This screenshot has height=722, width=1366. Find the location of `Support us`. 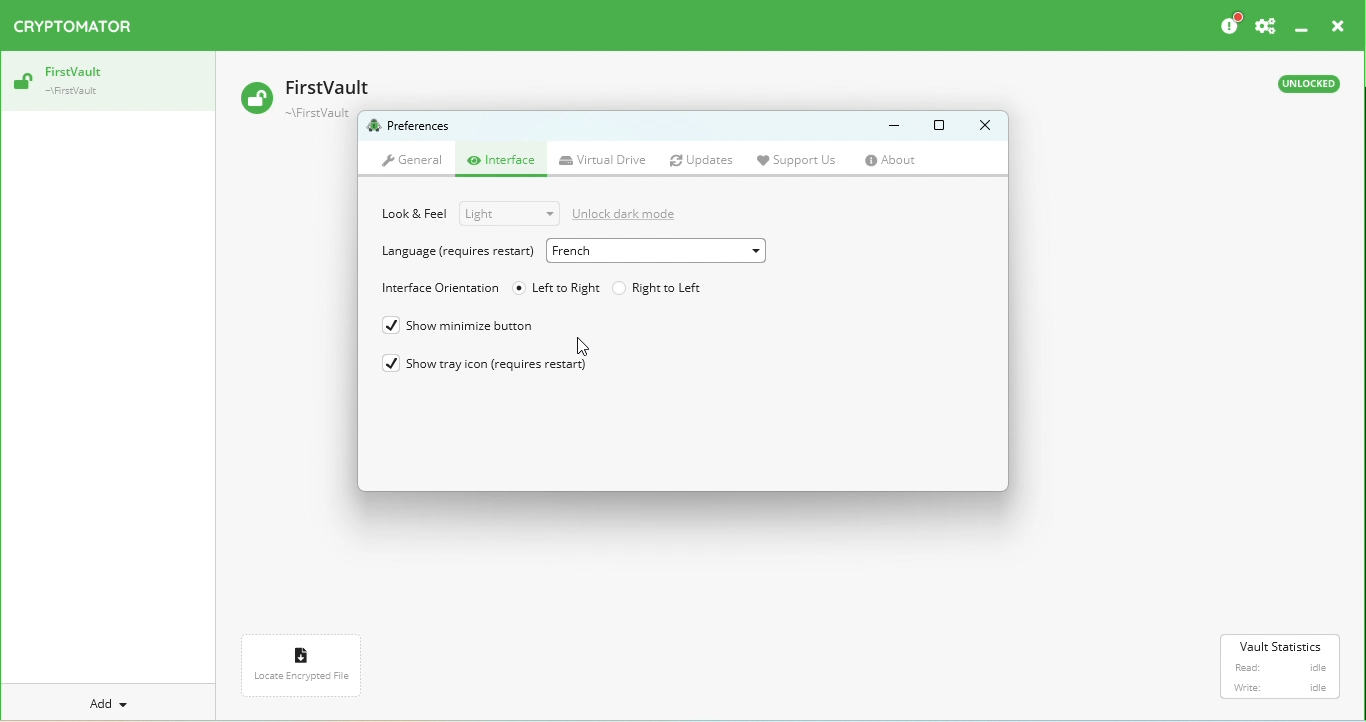

Support us is located at coordinates (804, 160).